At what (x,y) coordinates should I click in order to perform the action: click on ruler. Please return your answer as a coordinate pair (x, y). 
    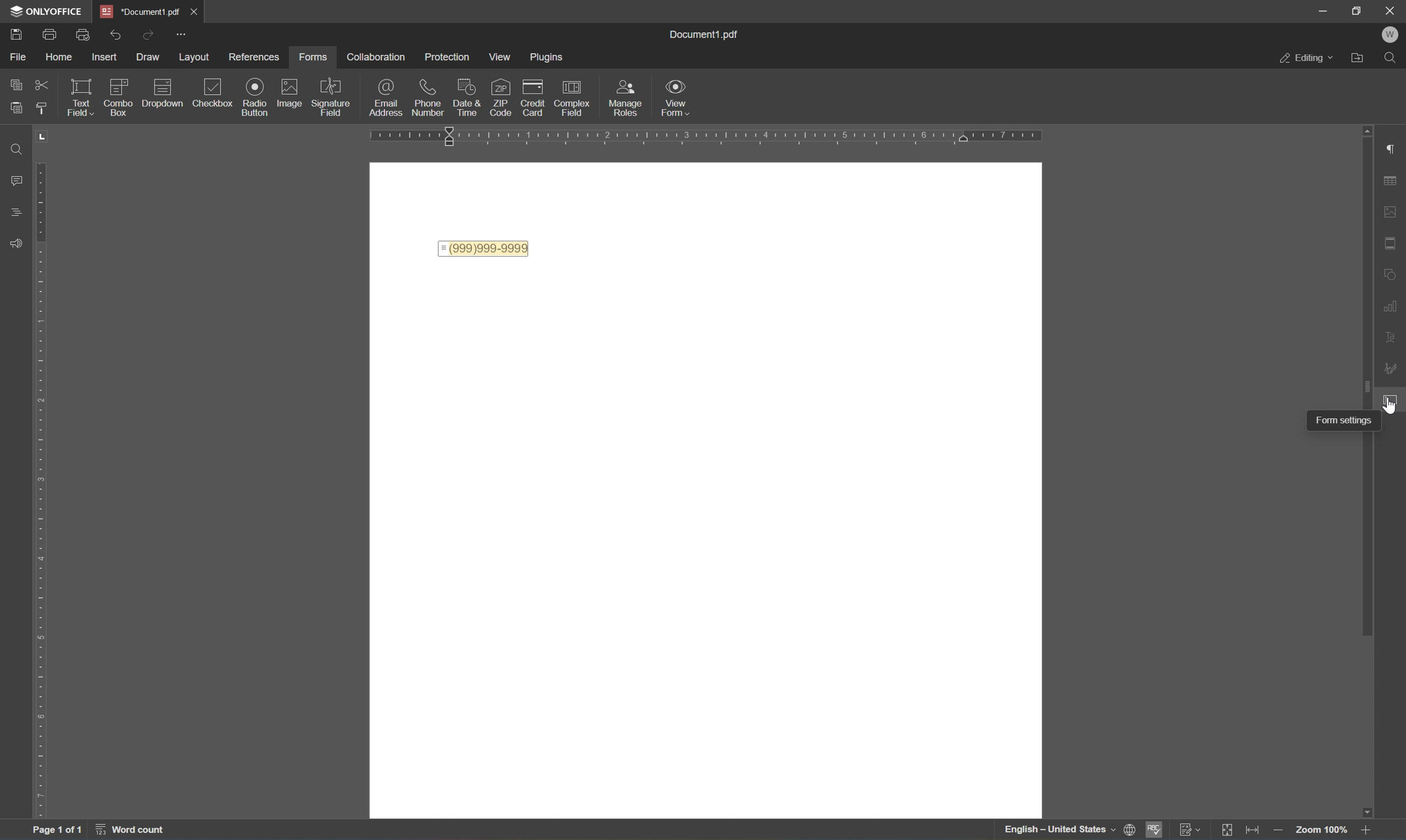
    Looking at the image, I should click on (704, 136).